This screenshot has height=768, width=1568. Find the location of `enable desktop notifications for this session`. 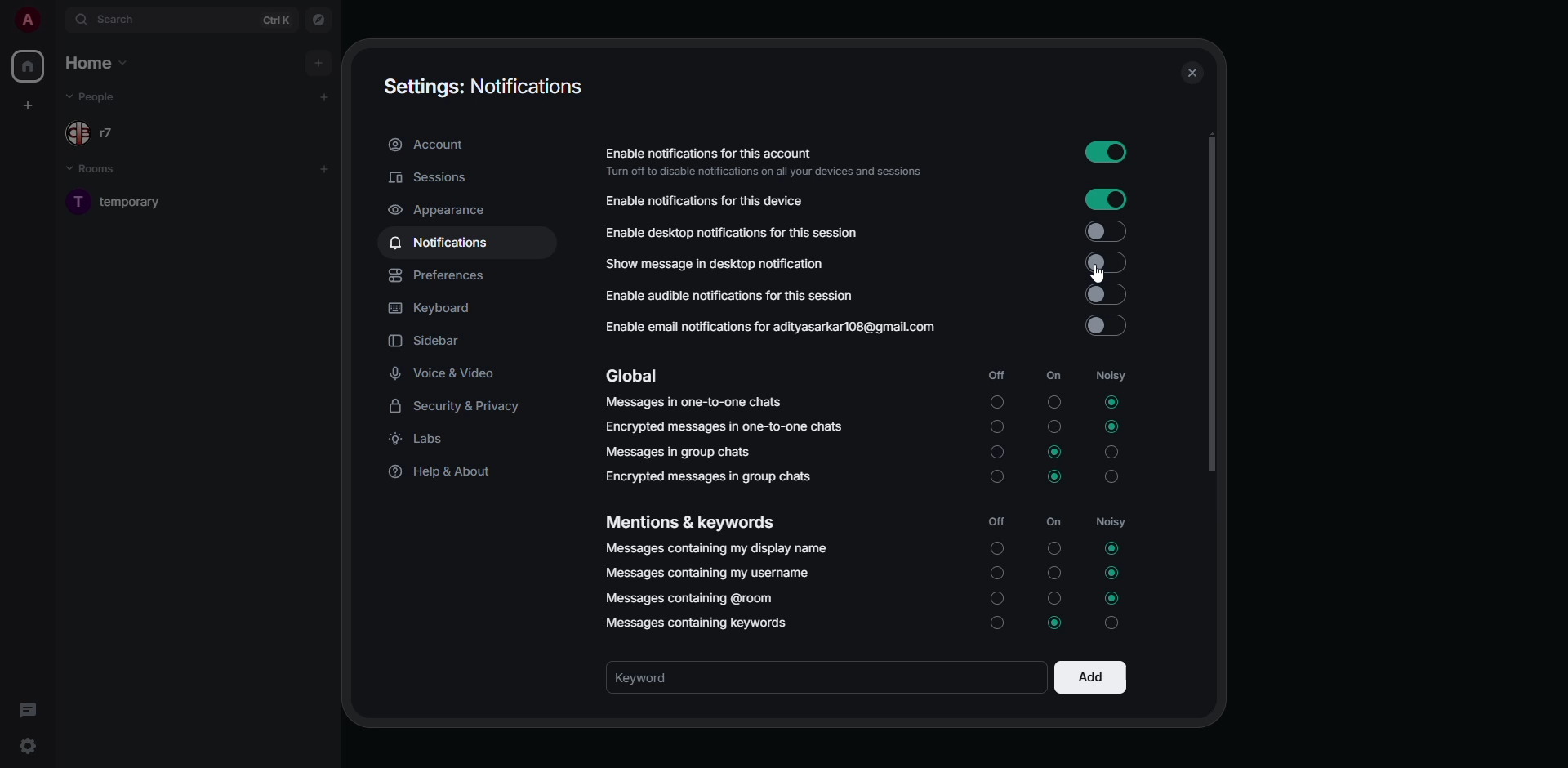

enable desktop notifications for this session is located at coordinates (733, 230).